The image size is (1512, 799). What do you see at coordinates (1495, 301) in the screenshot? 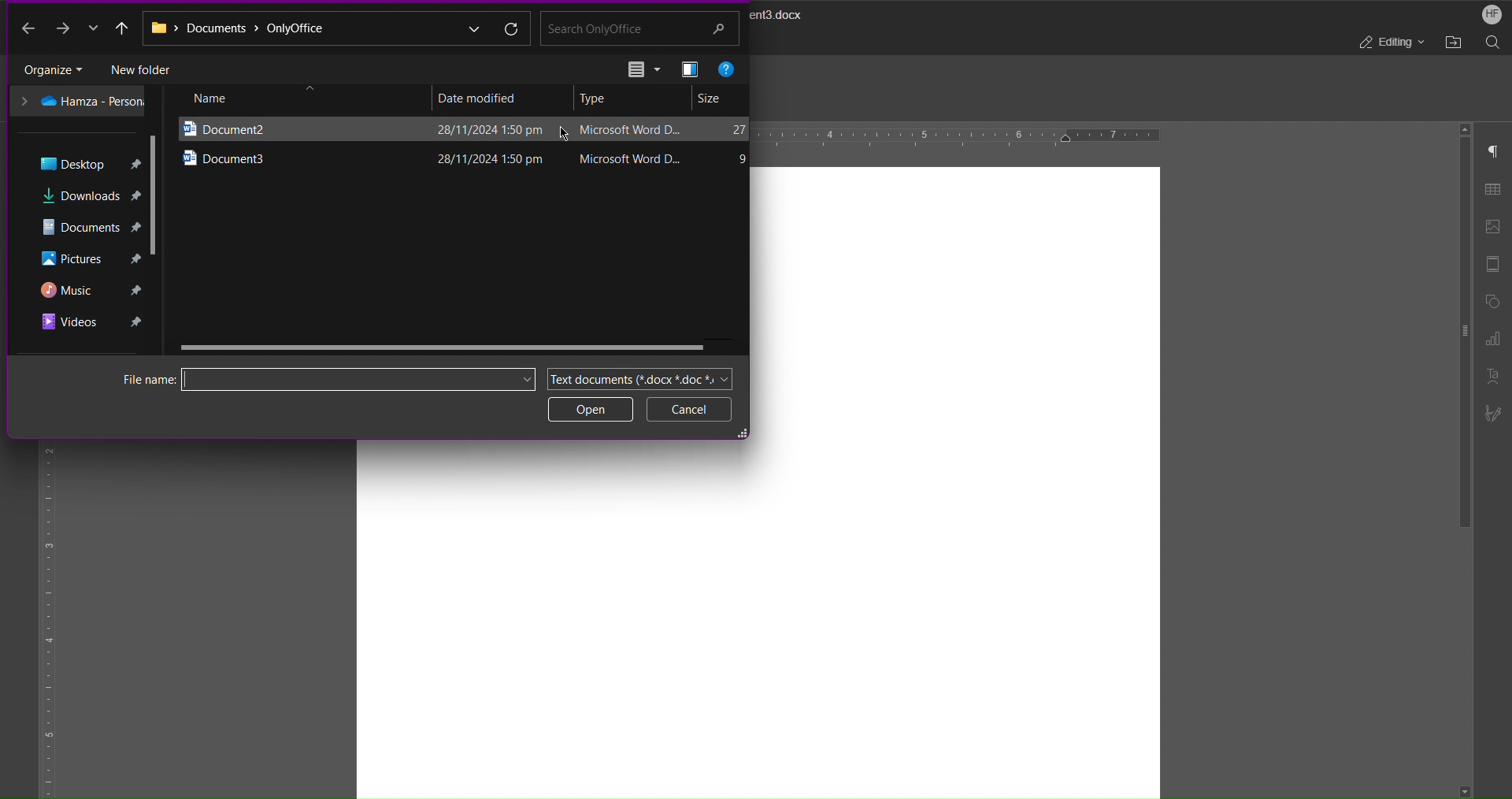
I see `Shape Settings` at bounding box center [1495, 301].